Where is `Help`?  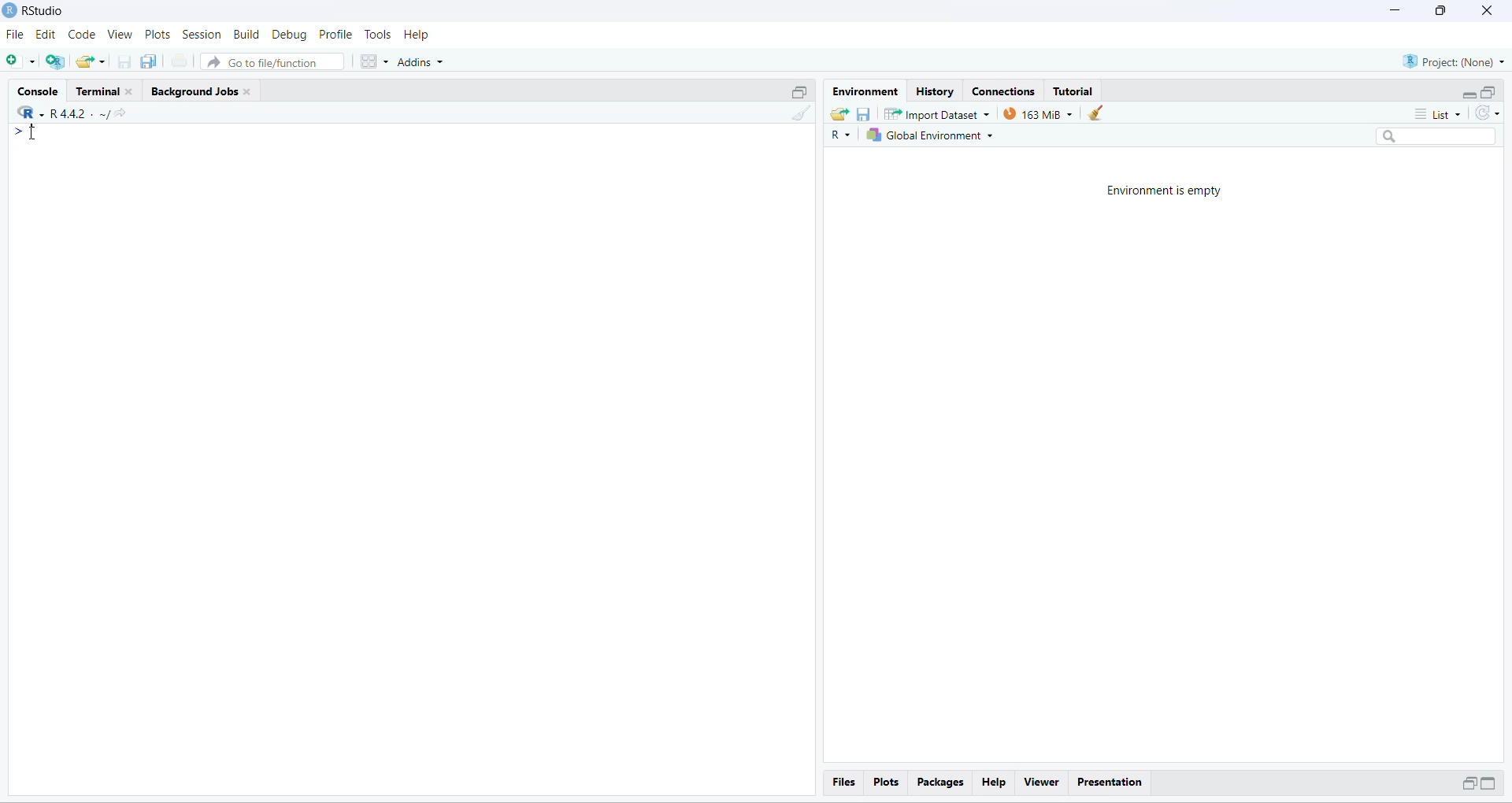 Help is located at coordinates (418, 35).